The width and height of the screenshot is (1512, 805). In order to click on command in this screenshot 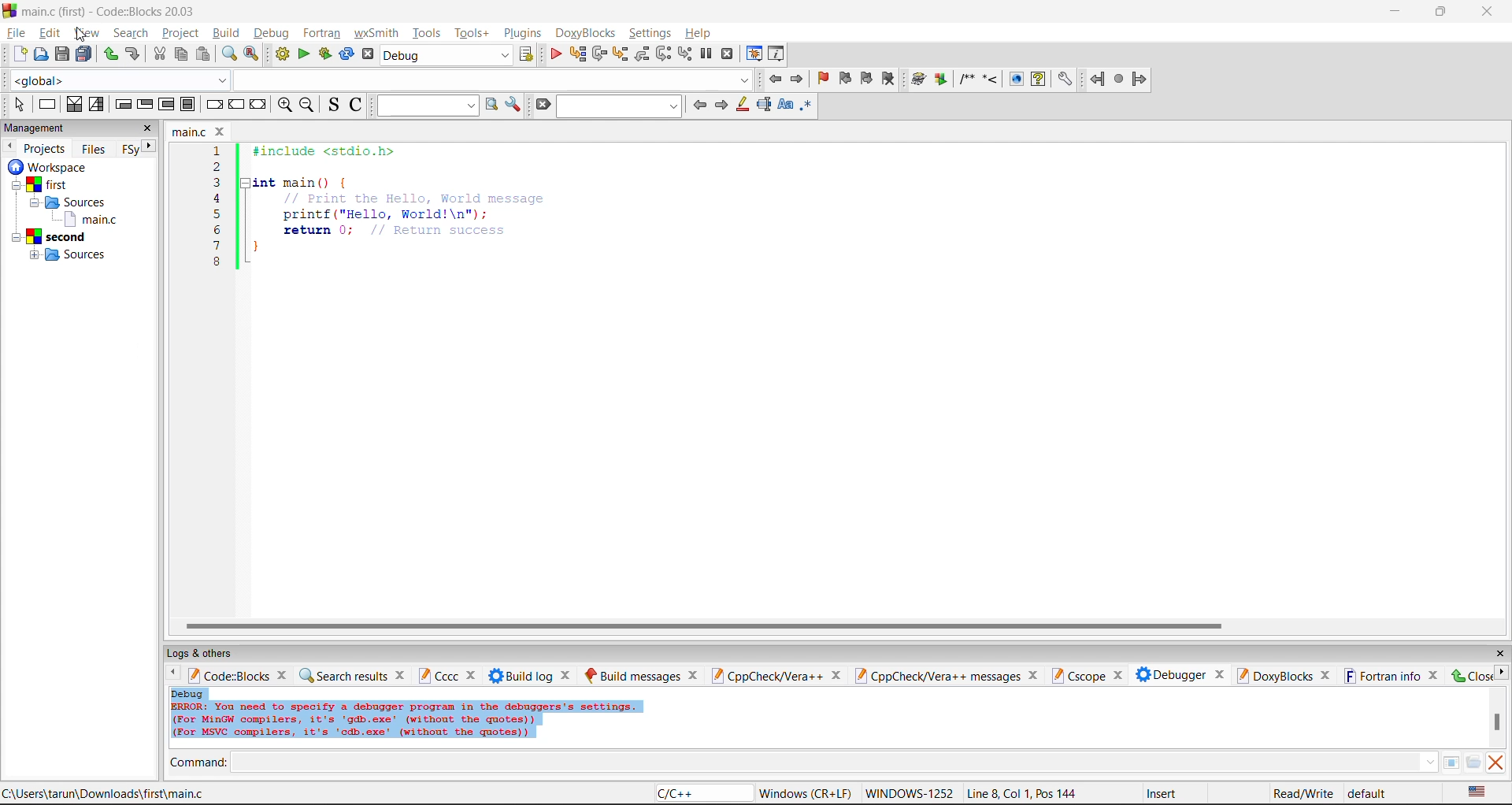, I will do `click(823, 763)`.